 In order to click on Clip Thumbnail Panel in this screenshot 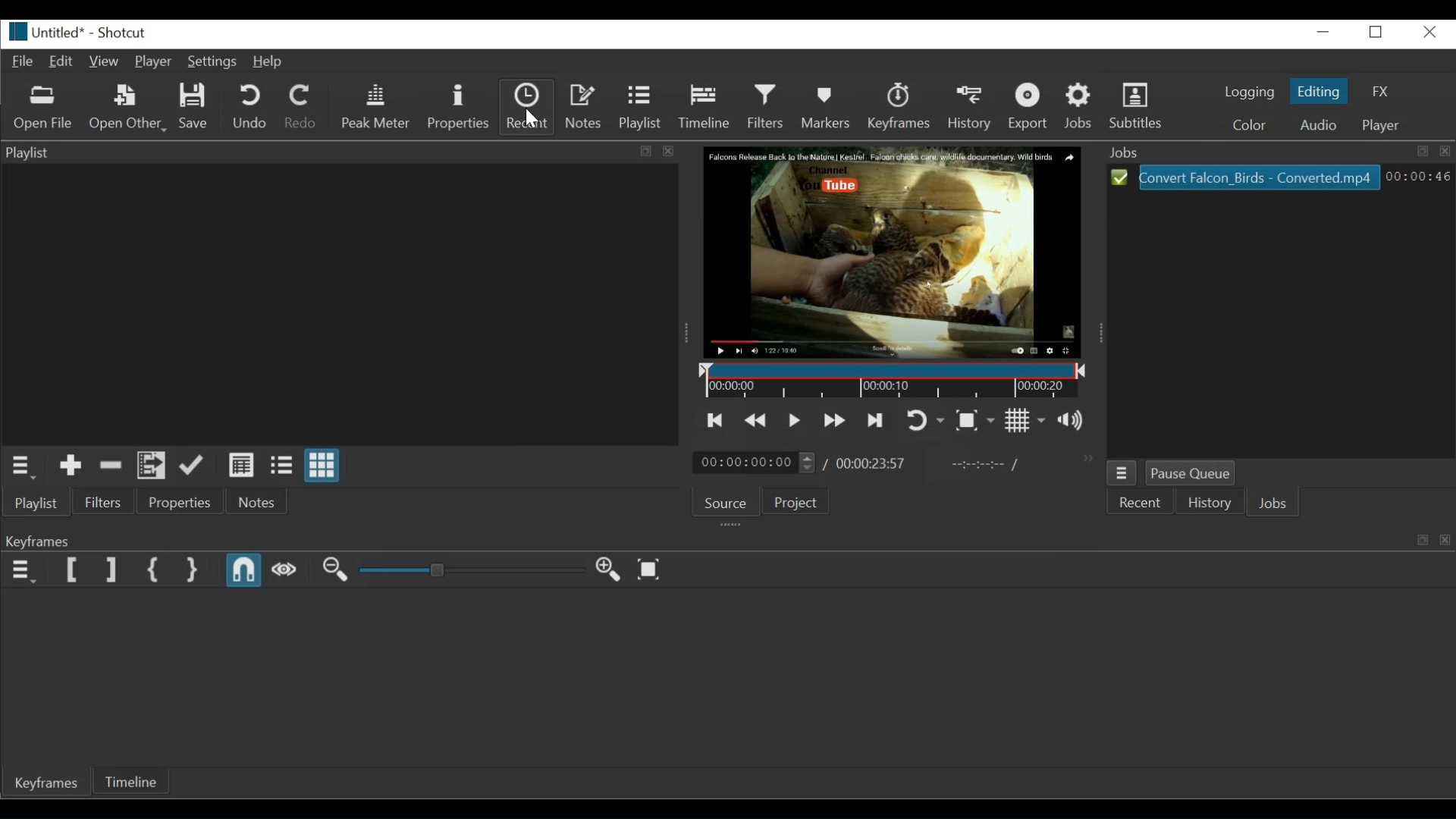, I will do `click(339, 306)`.